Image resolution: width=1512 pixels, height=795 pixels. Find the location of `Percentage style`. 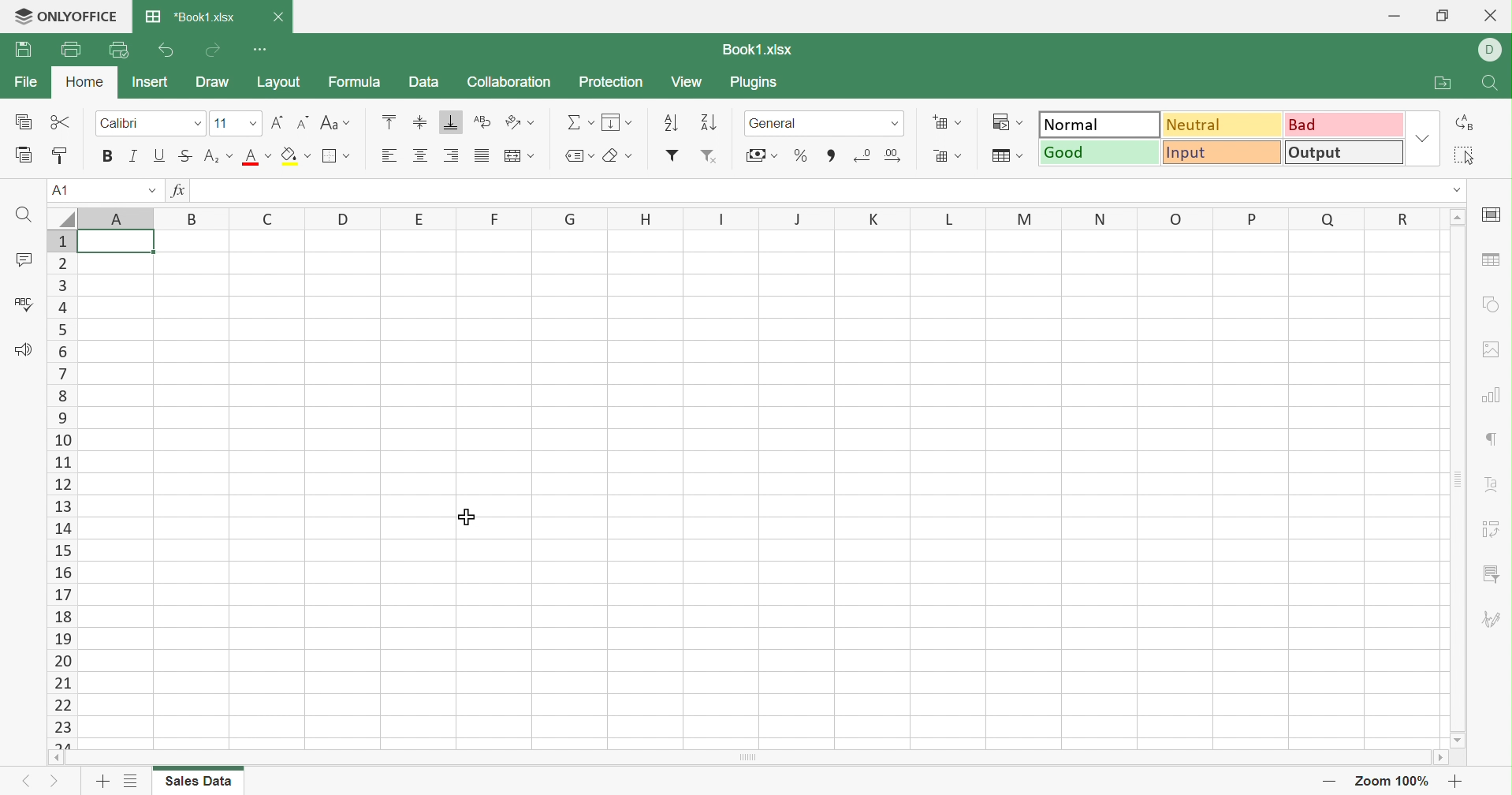

Percentage style is located at coordinates (803, 156).